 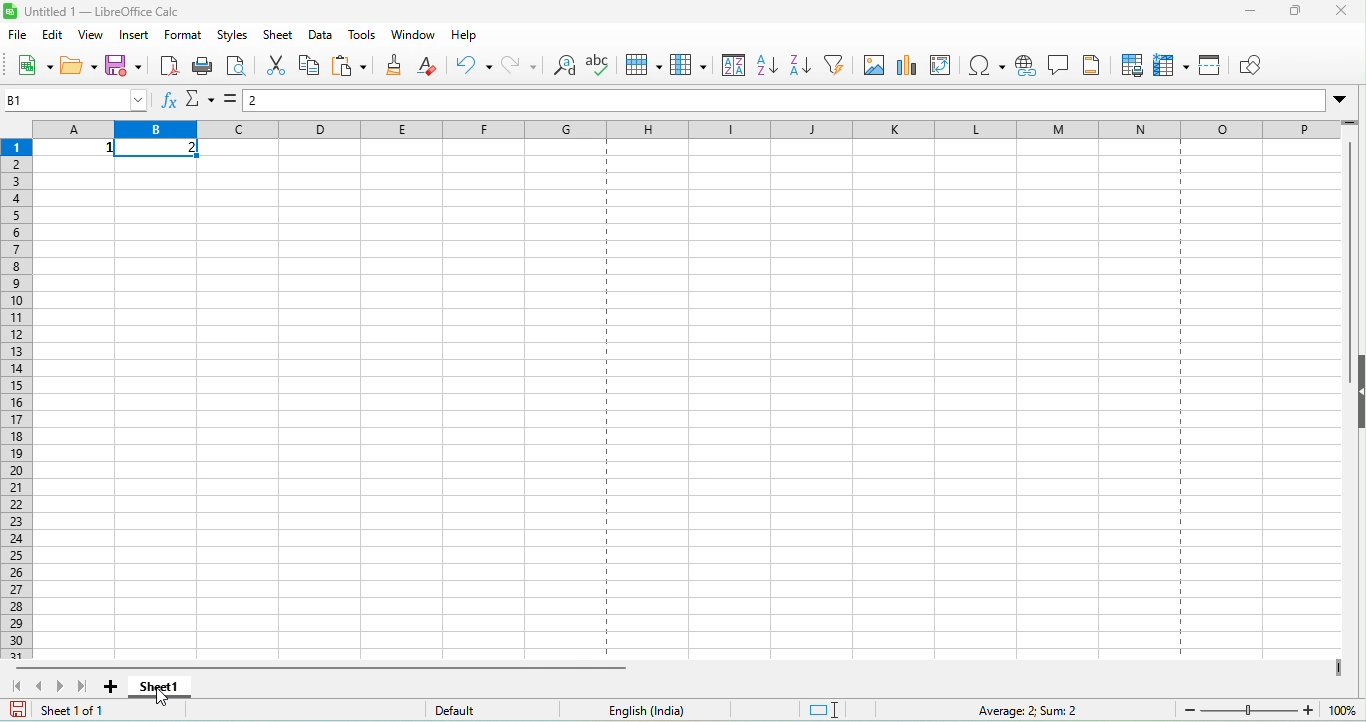 What do you see at coordinates (233, 99) in the screenshot?
I see `formula` at bounding box center [233, 99].